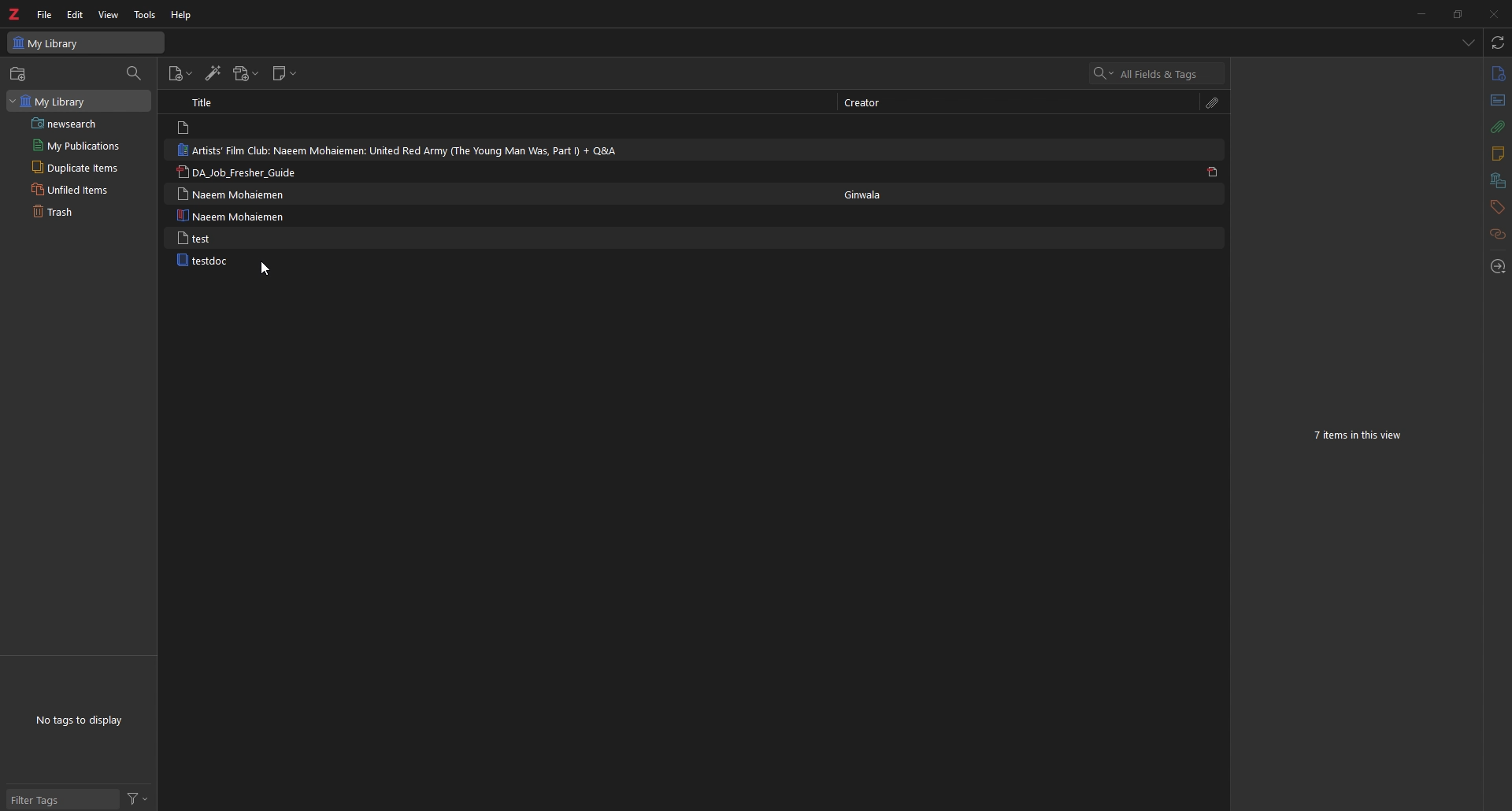 The image size is (1512, 811). I want to click on minimize, so click(1420, 13).